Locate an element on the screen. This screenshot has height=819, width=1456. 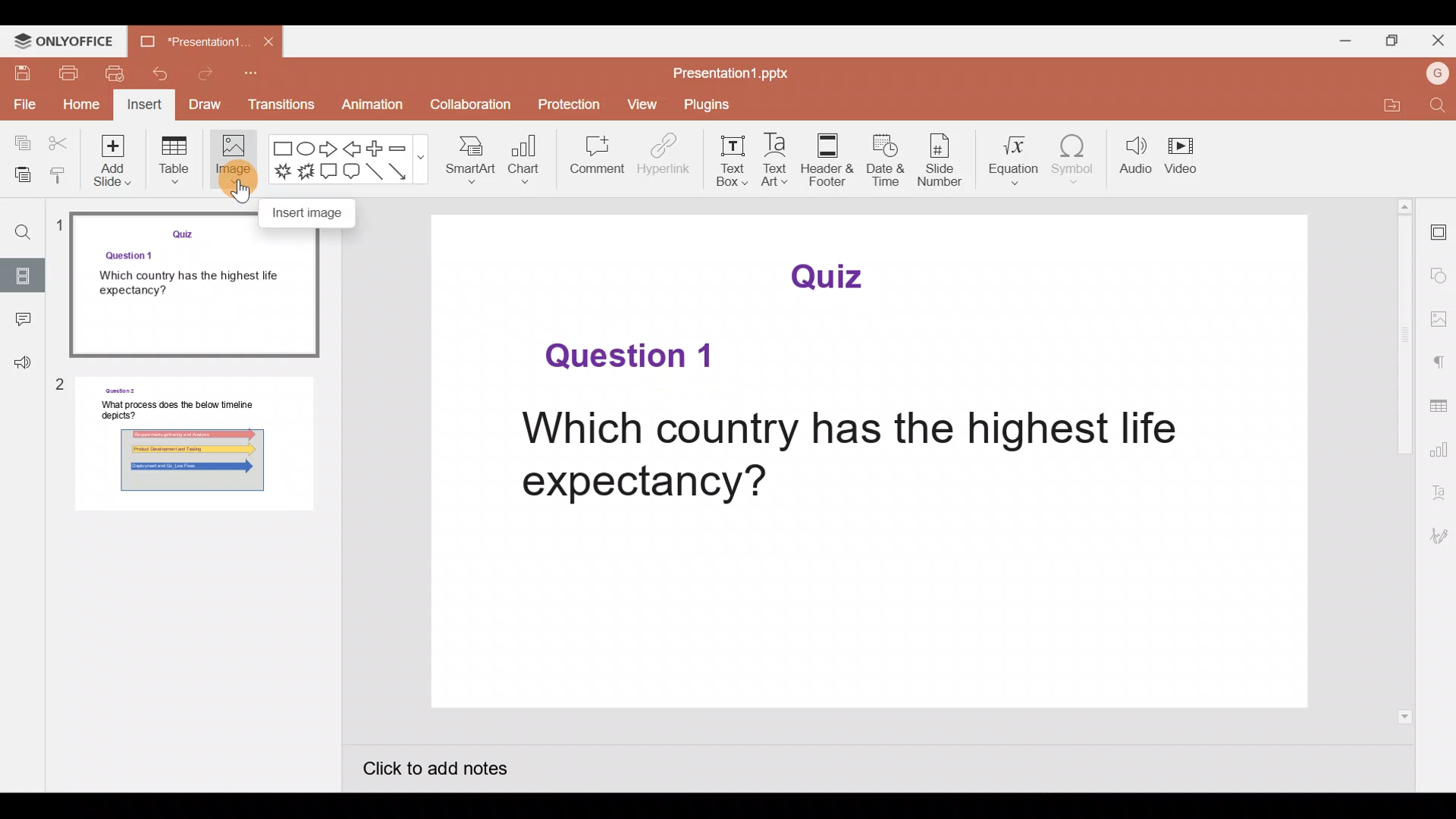
Insert is located at coordinates (146, 105).